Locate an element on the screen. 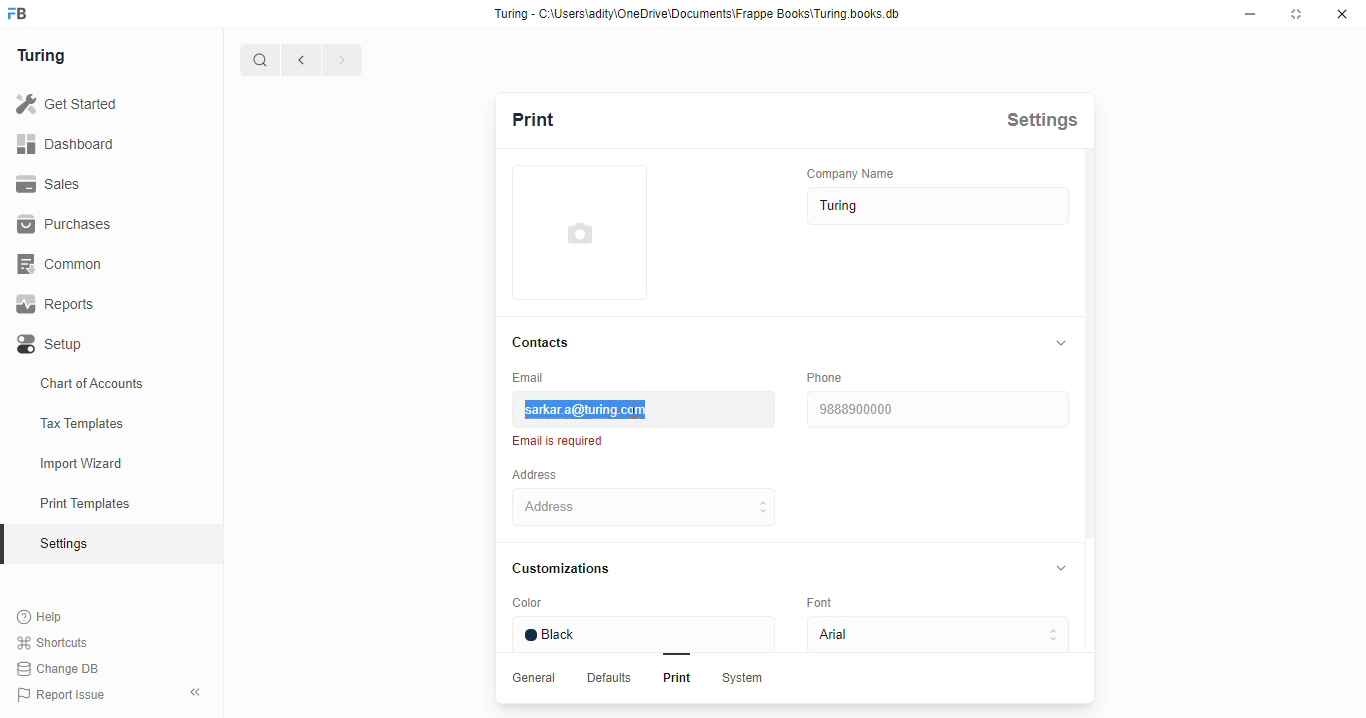 This screenshot has width=1366, height=718. collapse is located at coordinates (1062, 342).